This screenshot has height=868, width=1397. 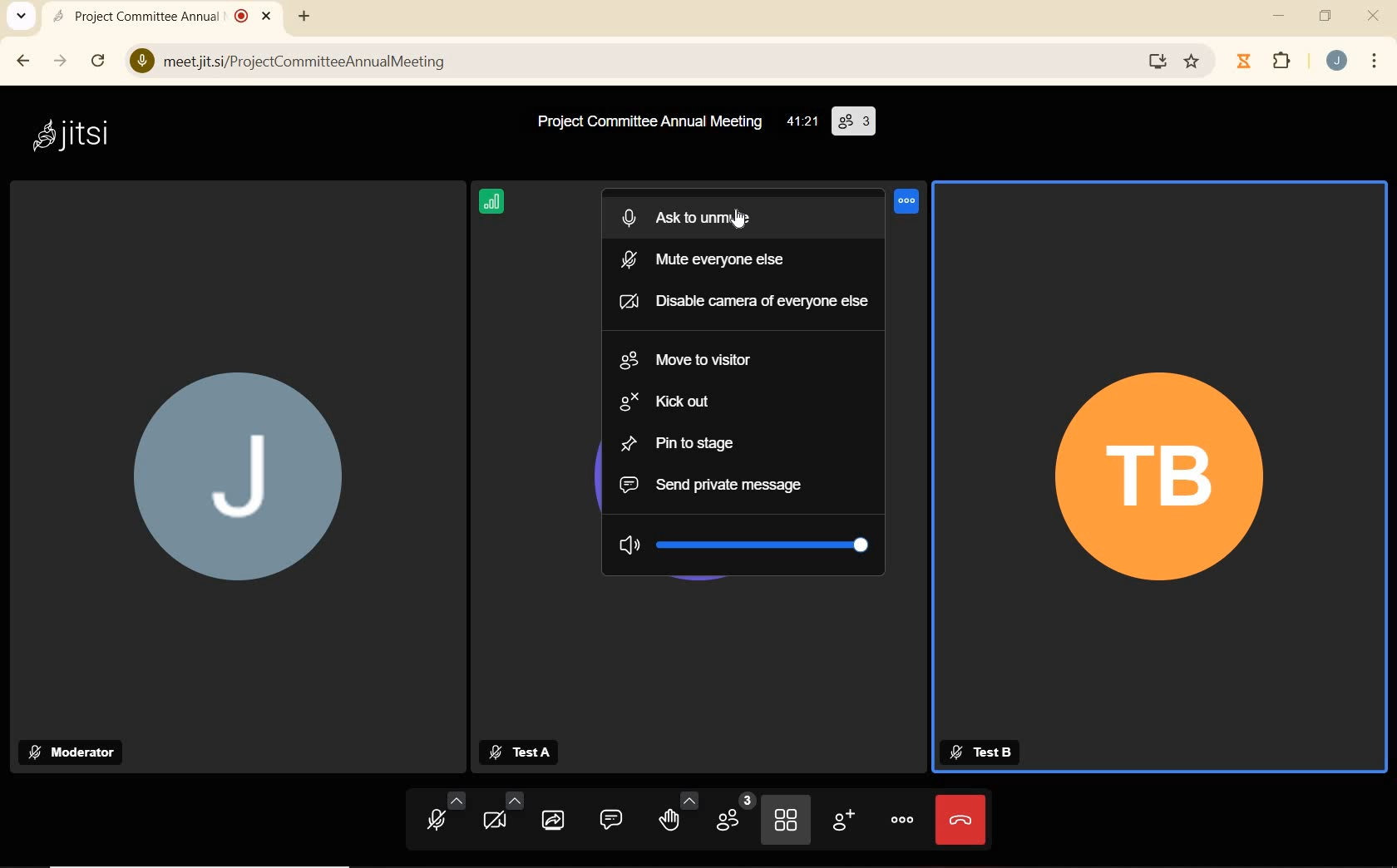 I want to click on Project Committee Annual Meeting, so click(x=646, y=122).